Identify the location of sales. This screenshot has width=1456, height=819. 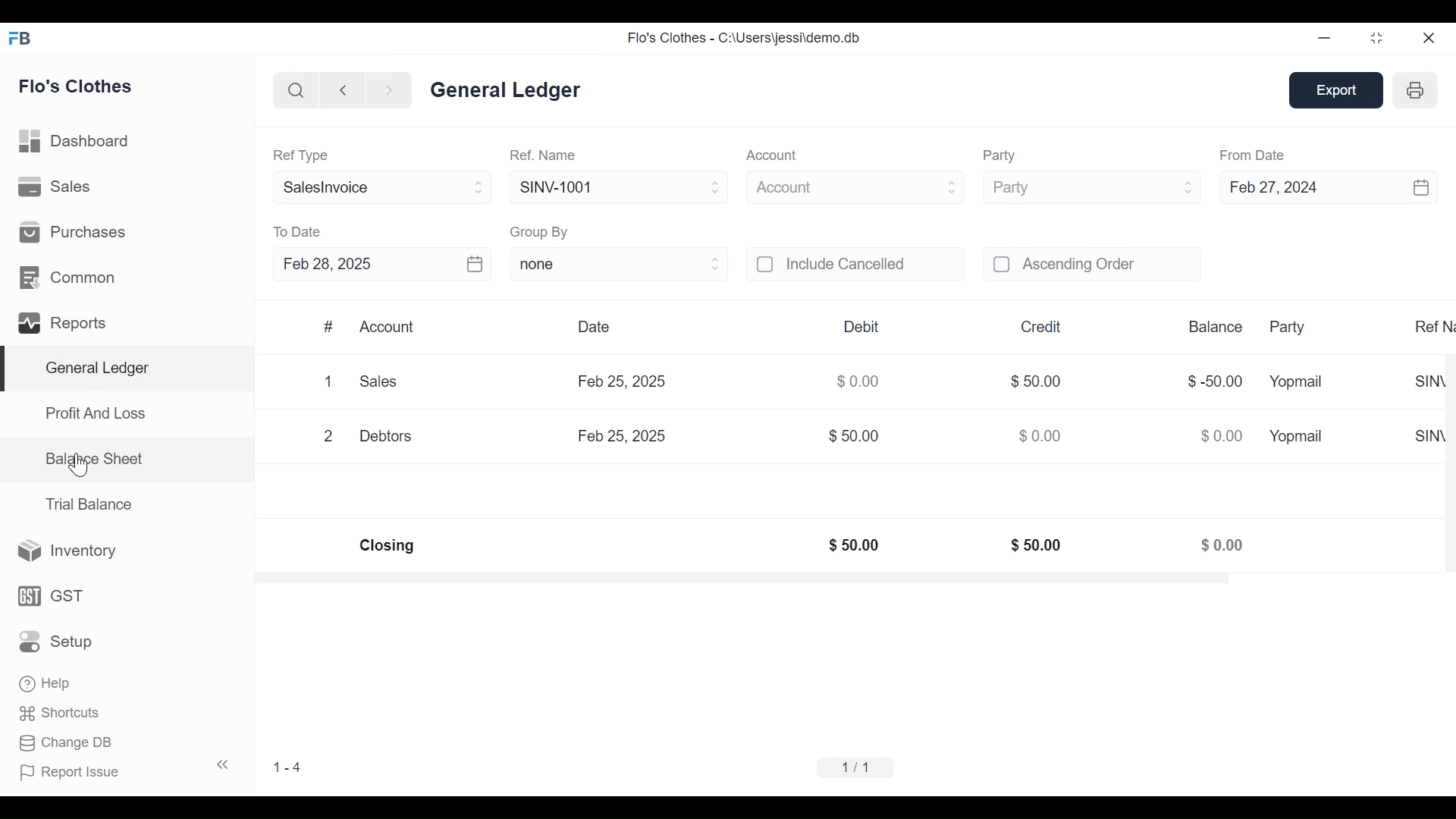
(57, 187).